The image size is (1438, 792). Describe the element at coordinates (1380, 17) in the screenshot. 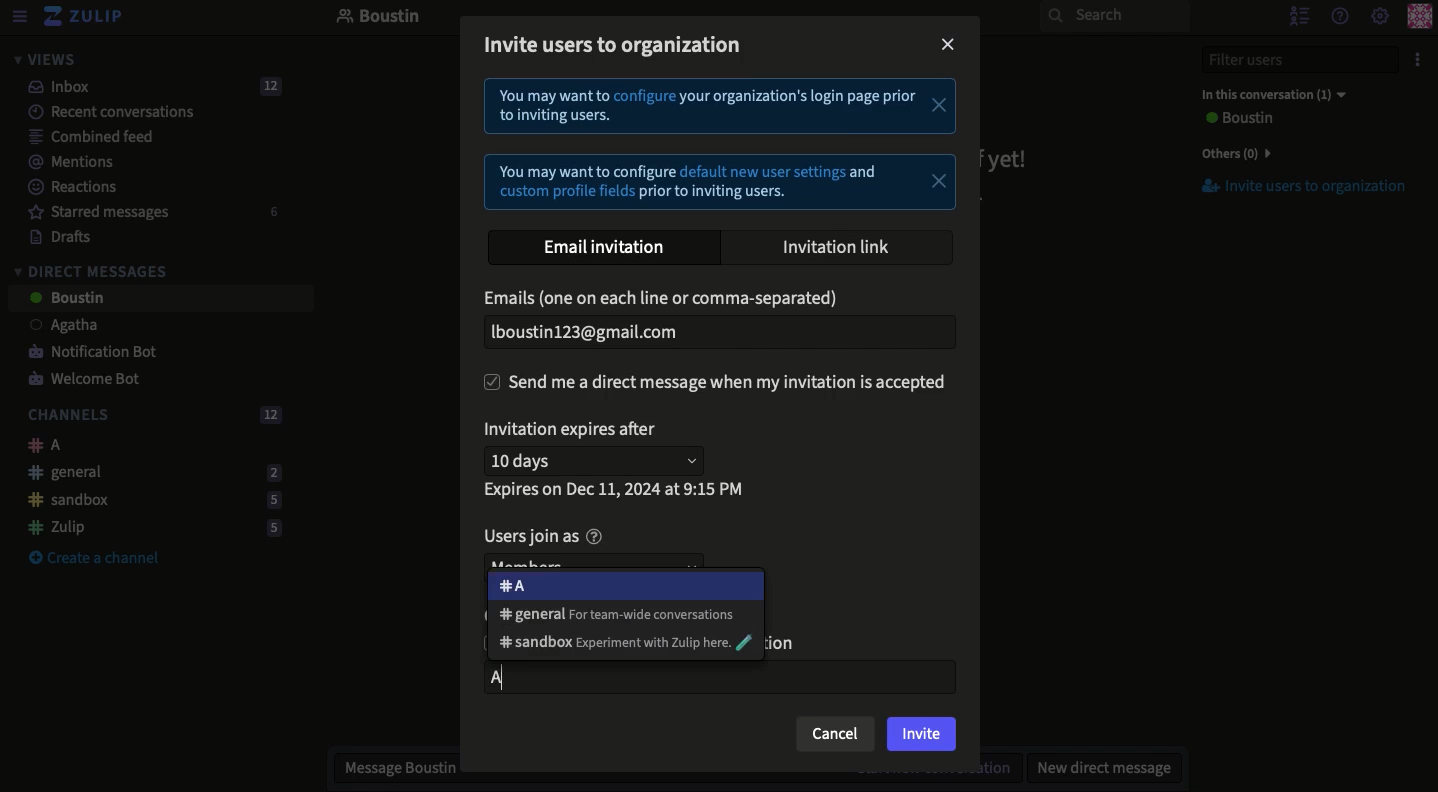

I see `Settings` at that location.